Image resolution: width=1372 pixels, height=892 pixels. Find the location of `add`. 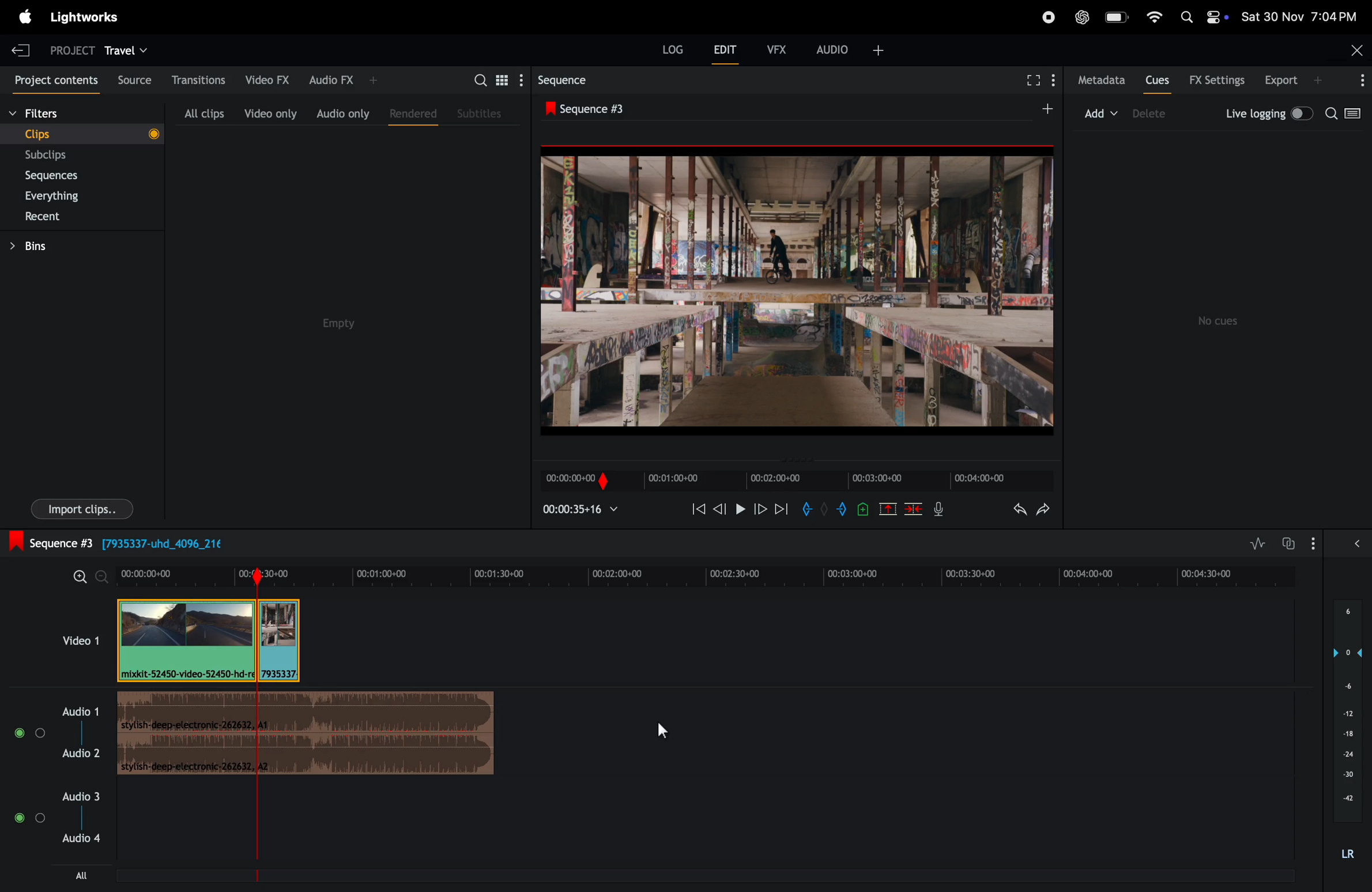

add is located at coordinates (1041, 109).